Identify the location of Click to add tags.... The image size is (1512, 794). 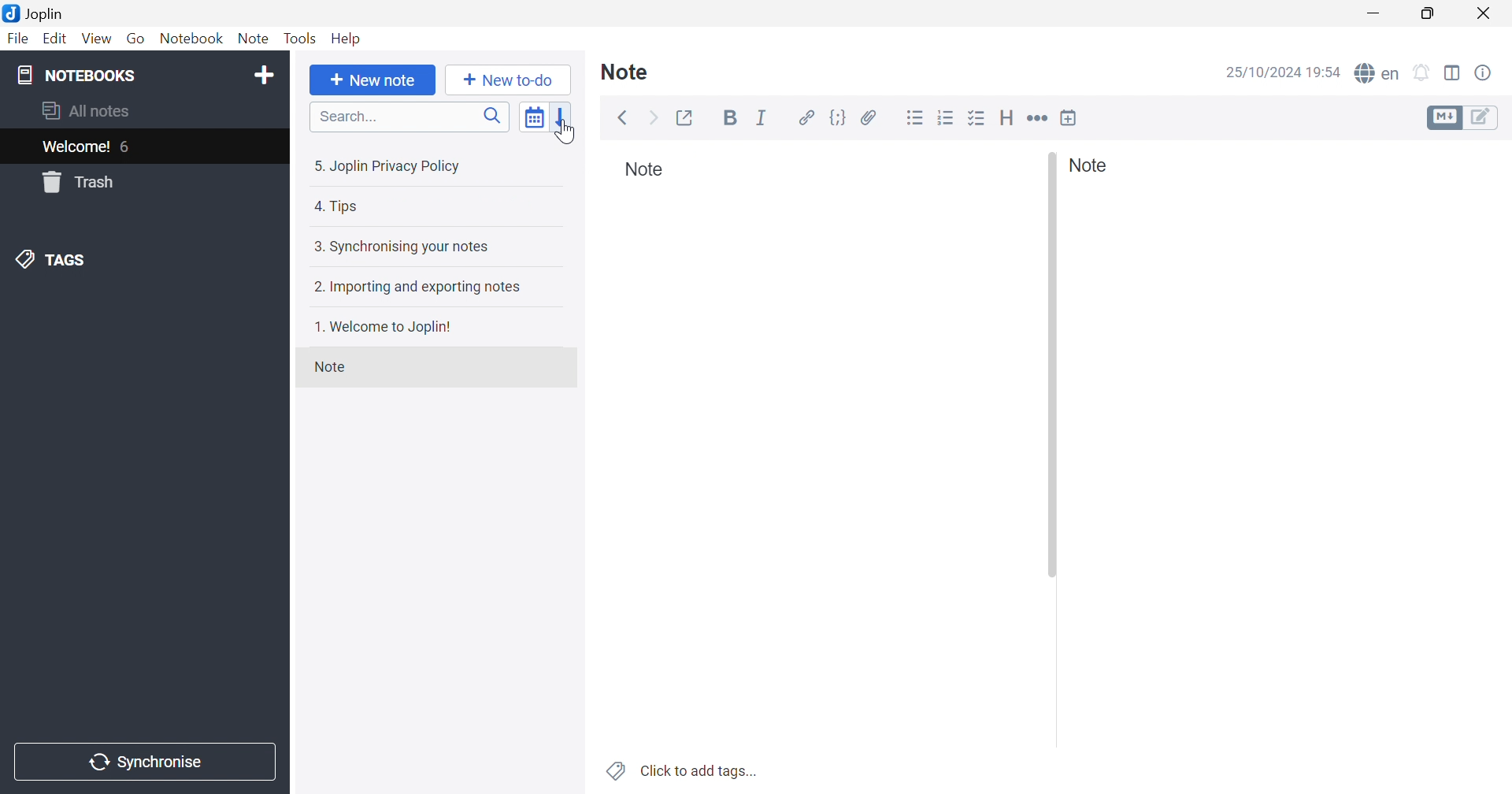
(700, 770).